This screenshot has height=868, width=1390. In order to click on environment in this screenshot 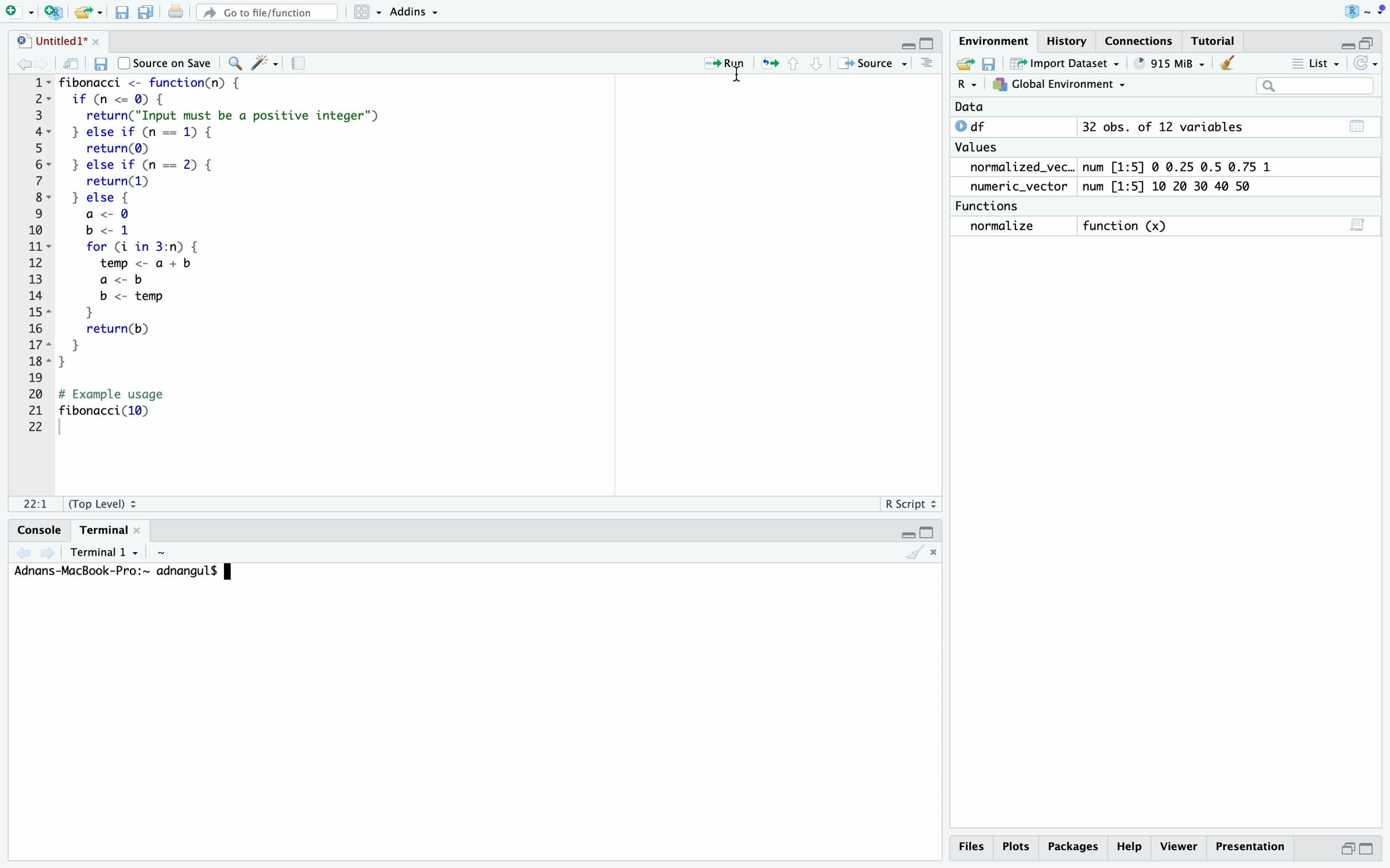, I will do `click(991, 40)`.